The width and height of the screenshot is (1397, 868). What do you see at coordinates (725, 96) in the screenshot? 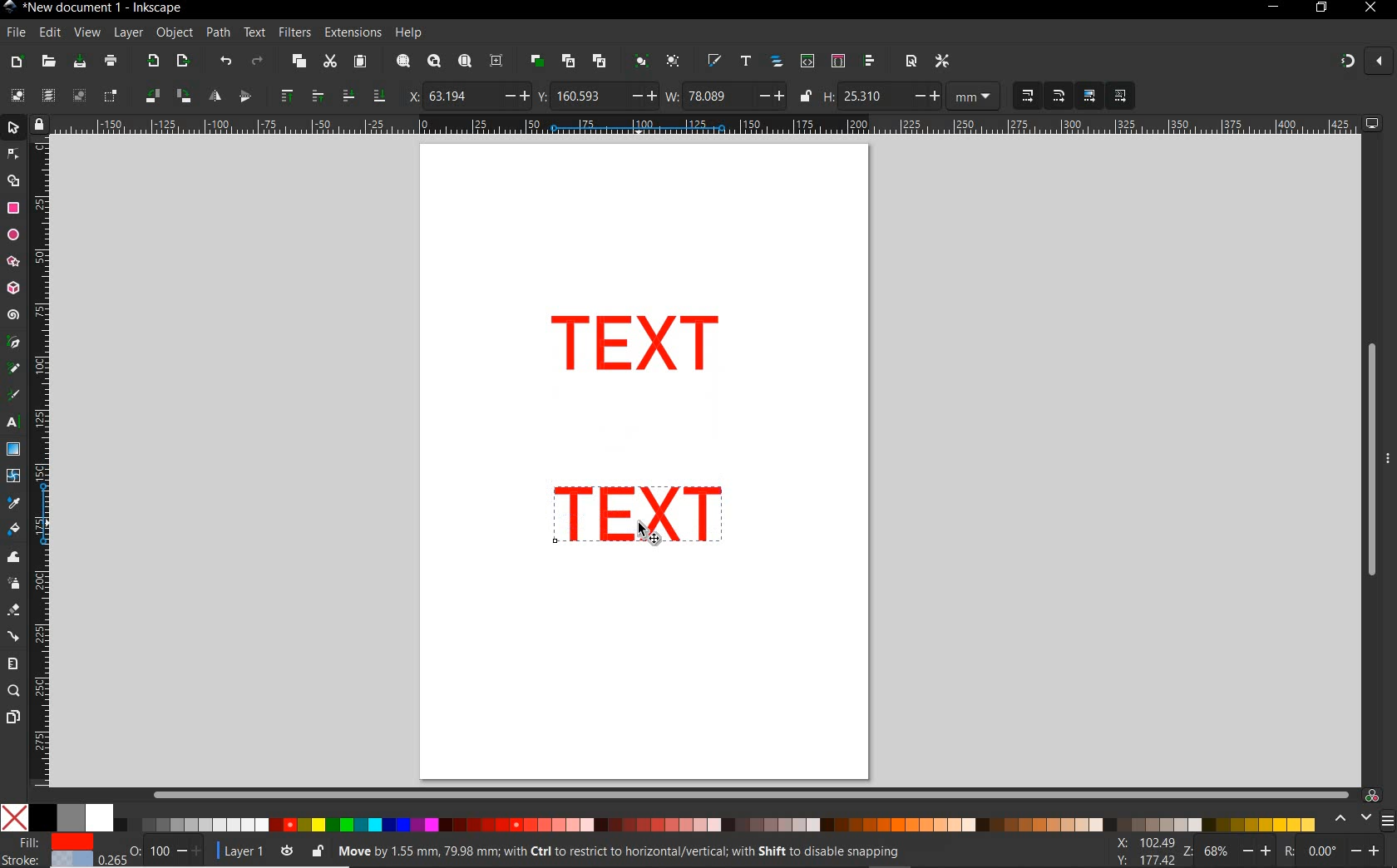
I see `width of selection` at bounding box center [725, 96].